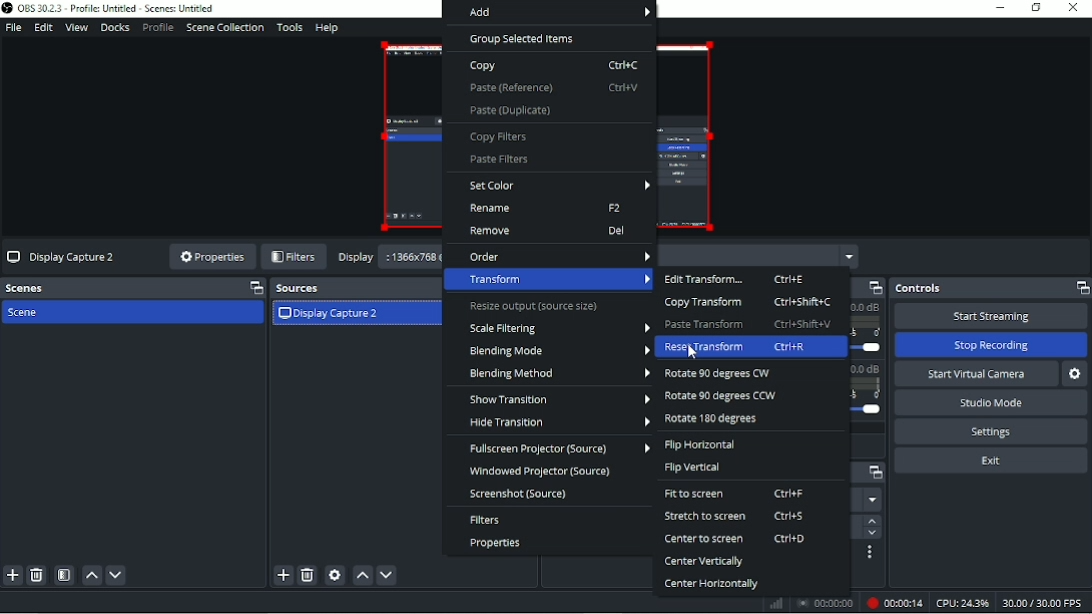  Describe the element at coordinates (778, 604) in the screenshot. I see `Graph` at that location.